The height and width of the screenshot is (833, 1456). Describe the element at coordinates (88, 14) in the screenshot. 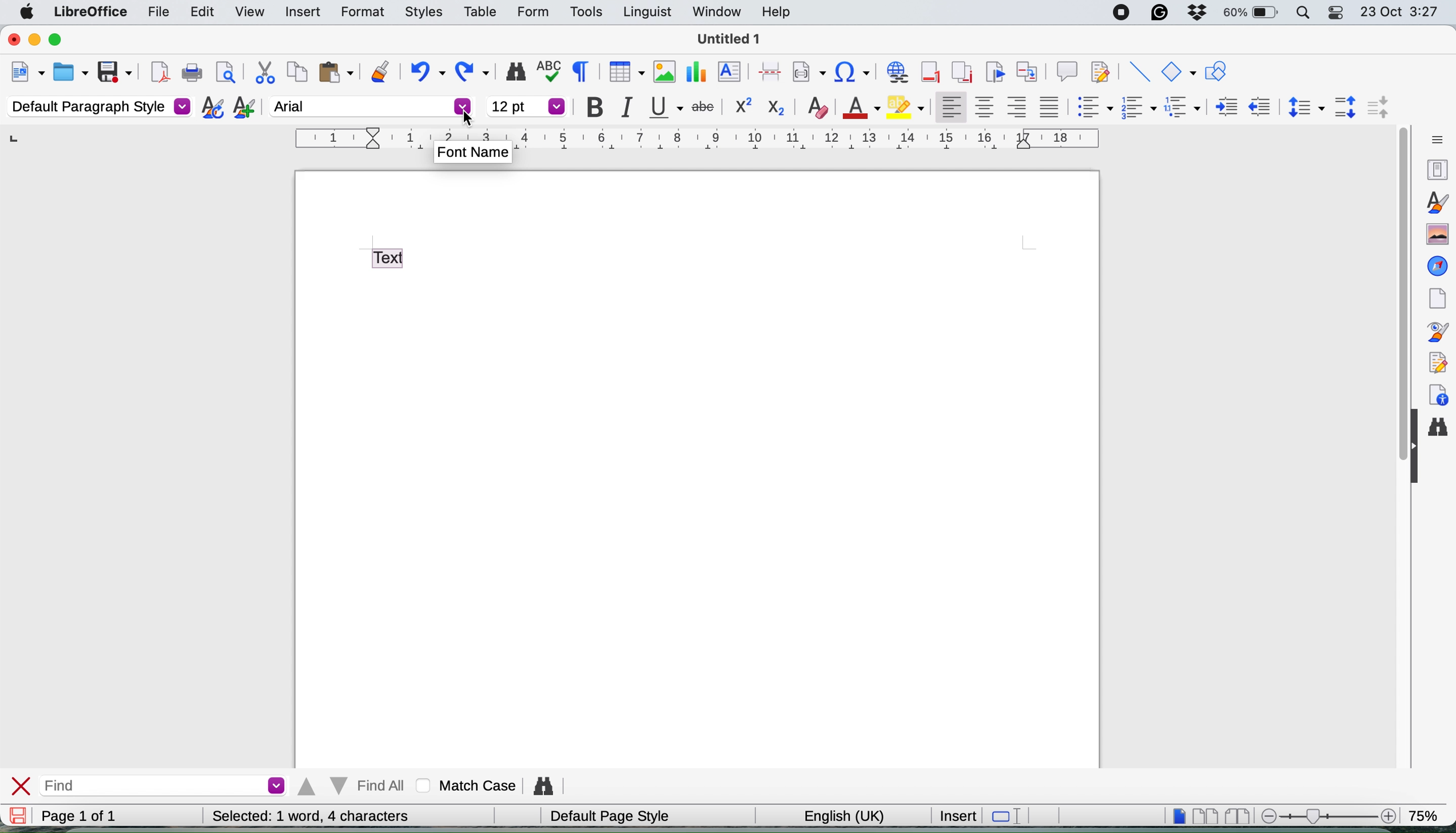

I see `libreoffice` at that location.